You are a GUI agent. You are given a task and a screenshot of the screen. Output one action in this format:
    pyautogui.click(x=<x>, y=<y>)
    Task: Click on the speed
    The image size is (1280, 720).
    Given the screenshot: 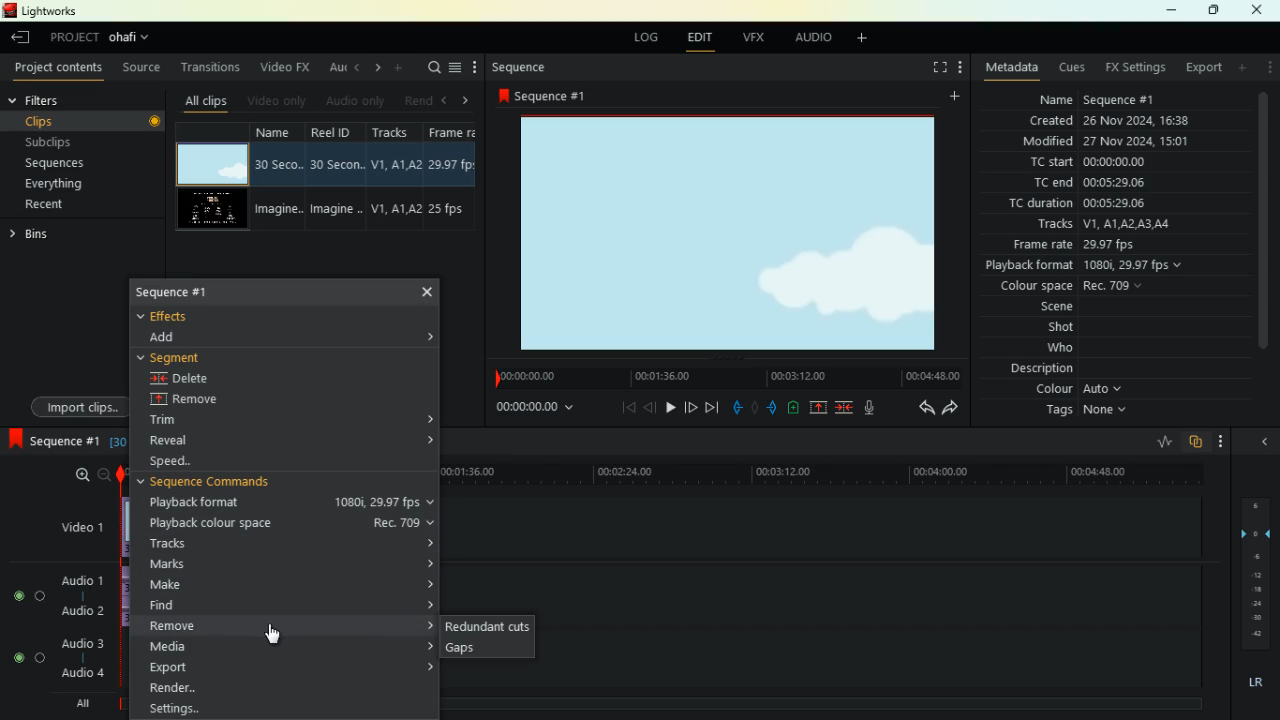 What is the action you would take?
    pyautogui.click(x=174, y=462)
    